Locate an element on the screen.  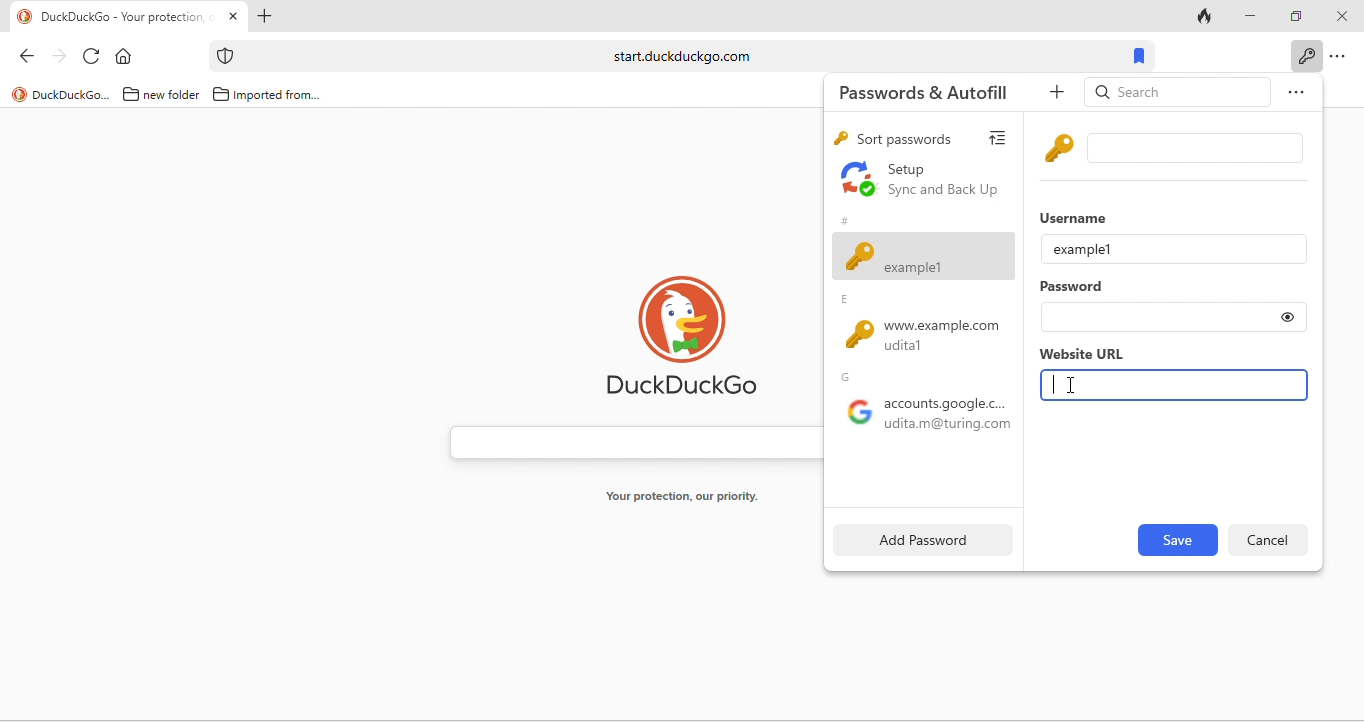
maximize is located at coordinates (1292, 14).